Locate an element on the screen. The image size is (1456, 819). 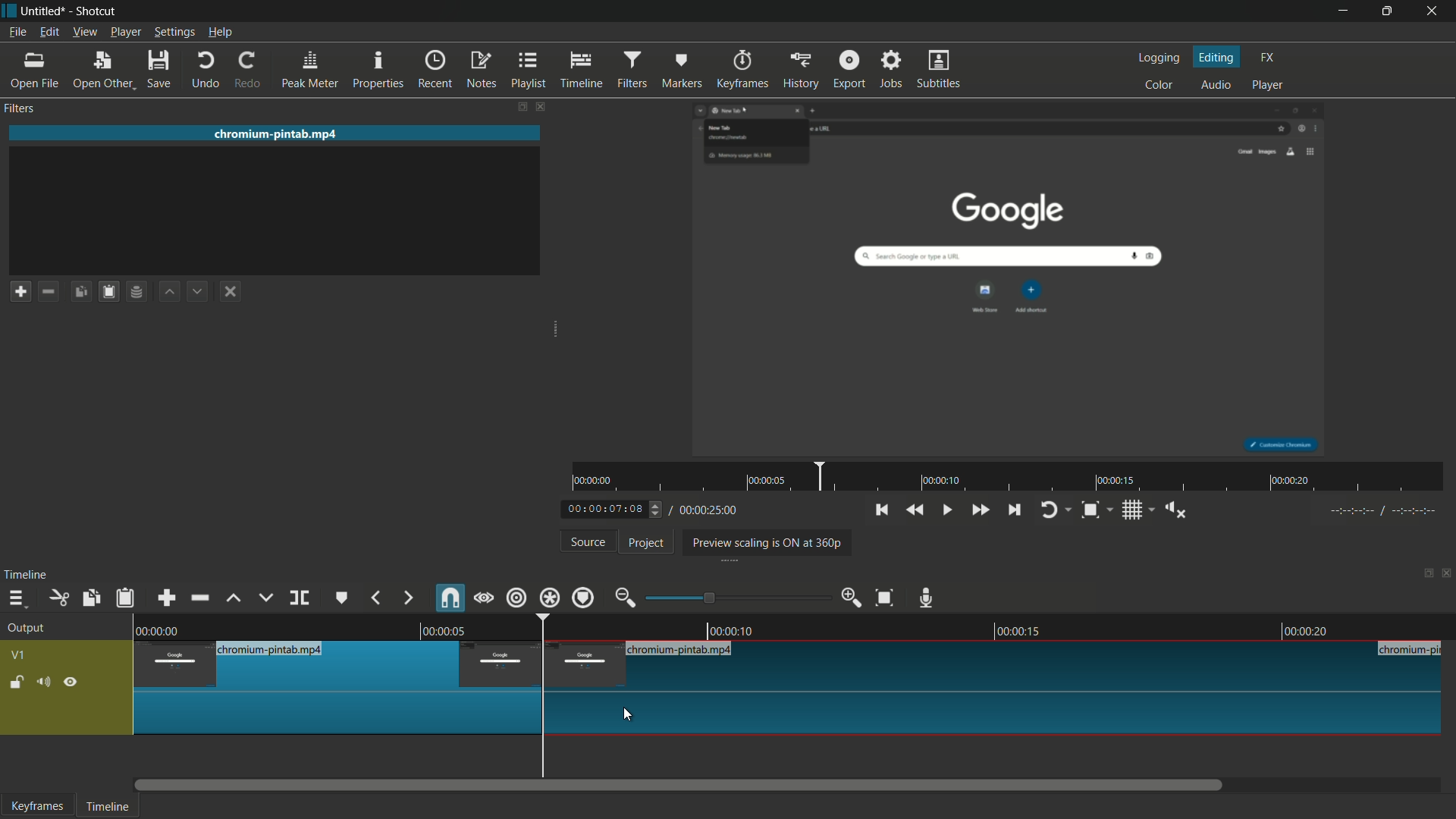
this segment is selected is located at coordinates (994, 688).